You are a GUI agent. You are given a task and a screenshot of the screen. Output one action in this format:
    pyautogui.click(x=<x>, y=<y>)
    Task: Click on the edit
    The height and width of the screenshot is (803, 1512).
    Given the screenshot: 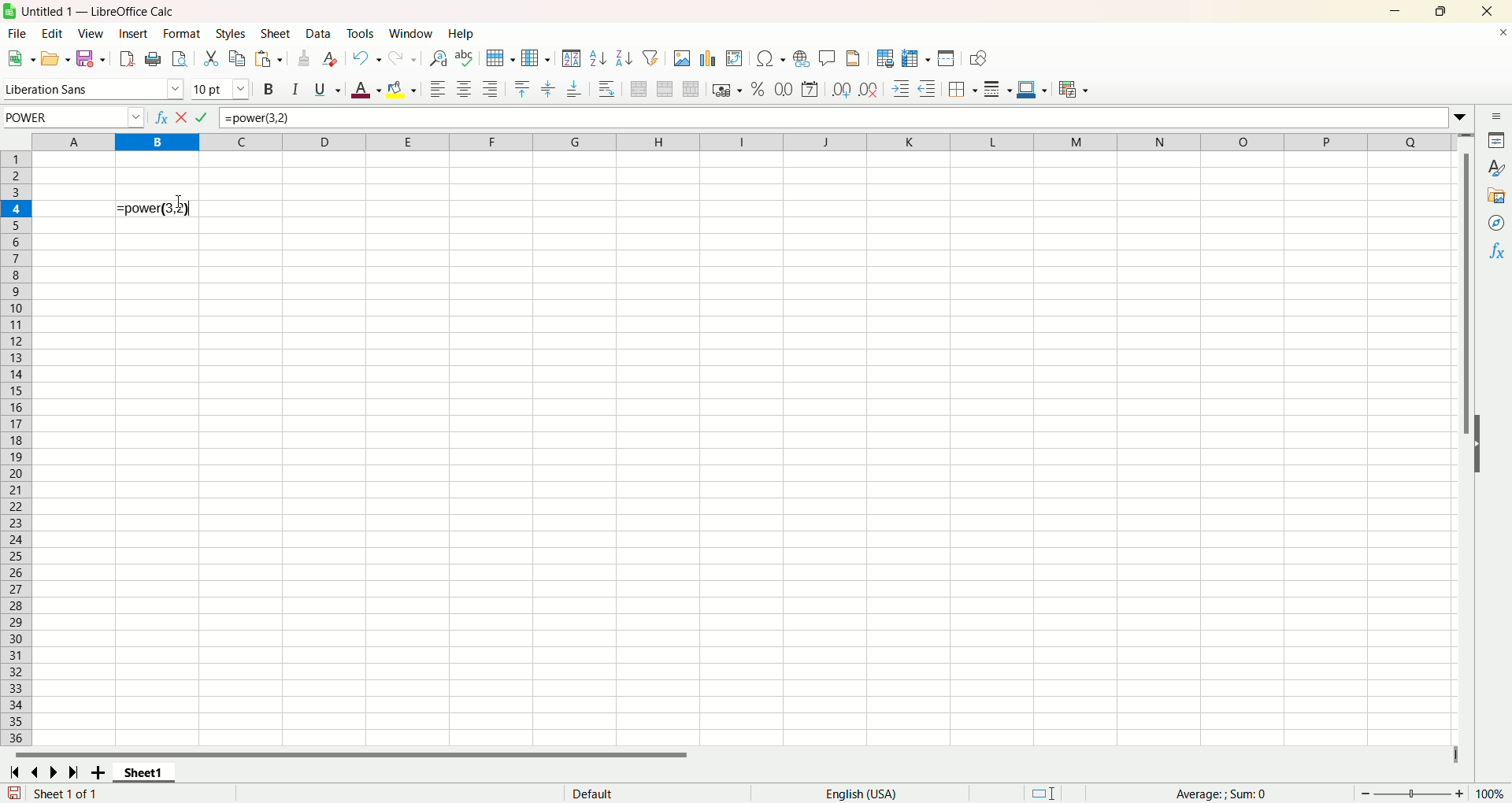 What is the action you would take?
    pyautogui.click(x=50, y=34)
    